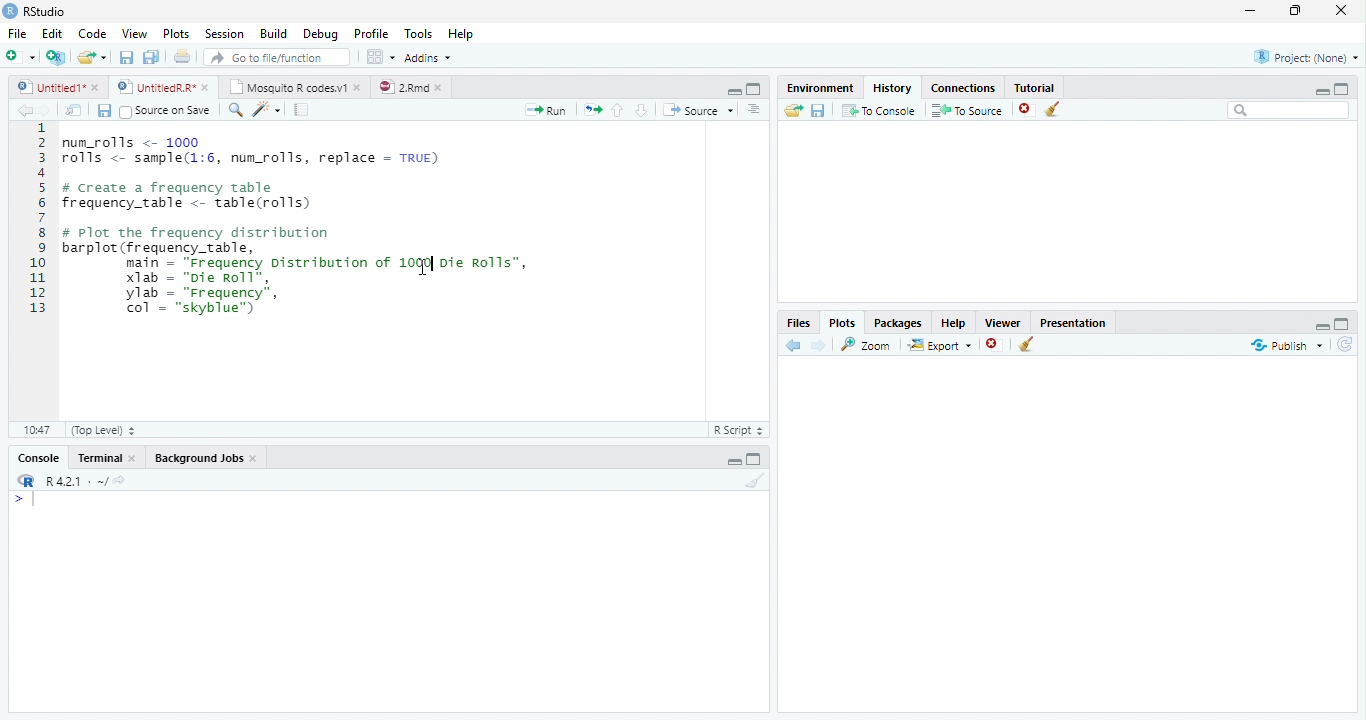 This screenshot has width=1366, height=720. I want to click on Print, so click(182, 56).